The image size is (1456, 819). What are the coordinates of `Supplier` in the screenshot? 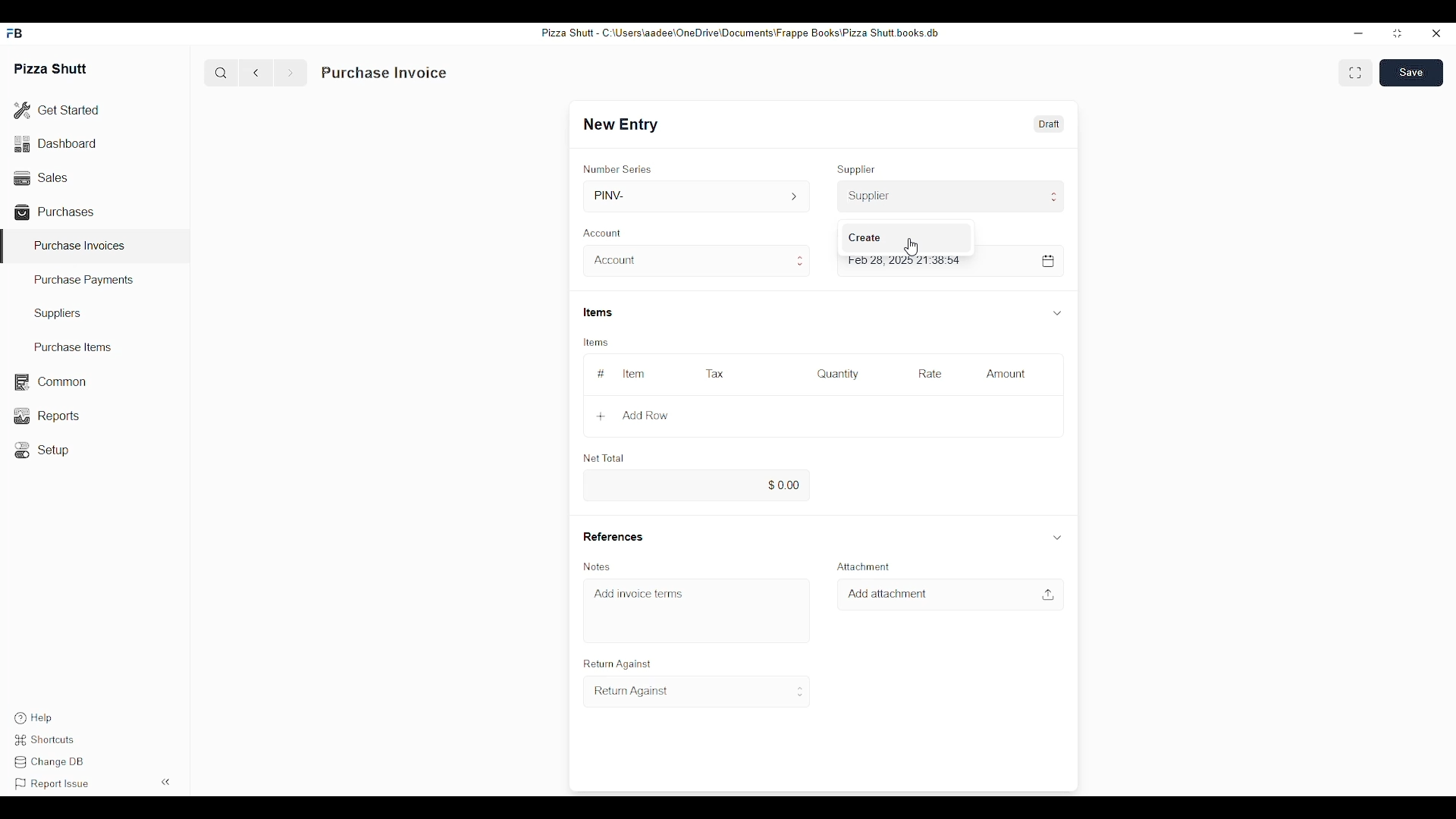 It's located at (859, 170).